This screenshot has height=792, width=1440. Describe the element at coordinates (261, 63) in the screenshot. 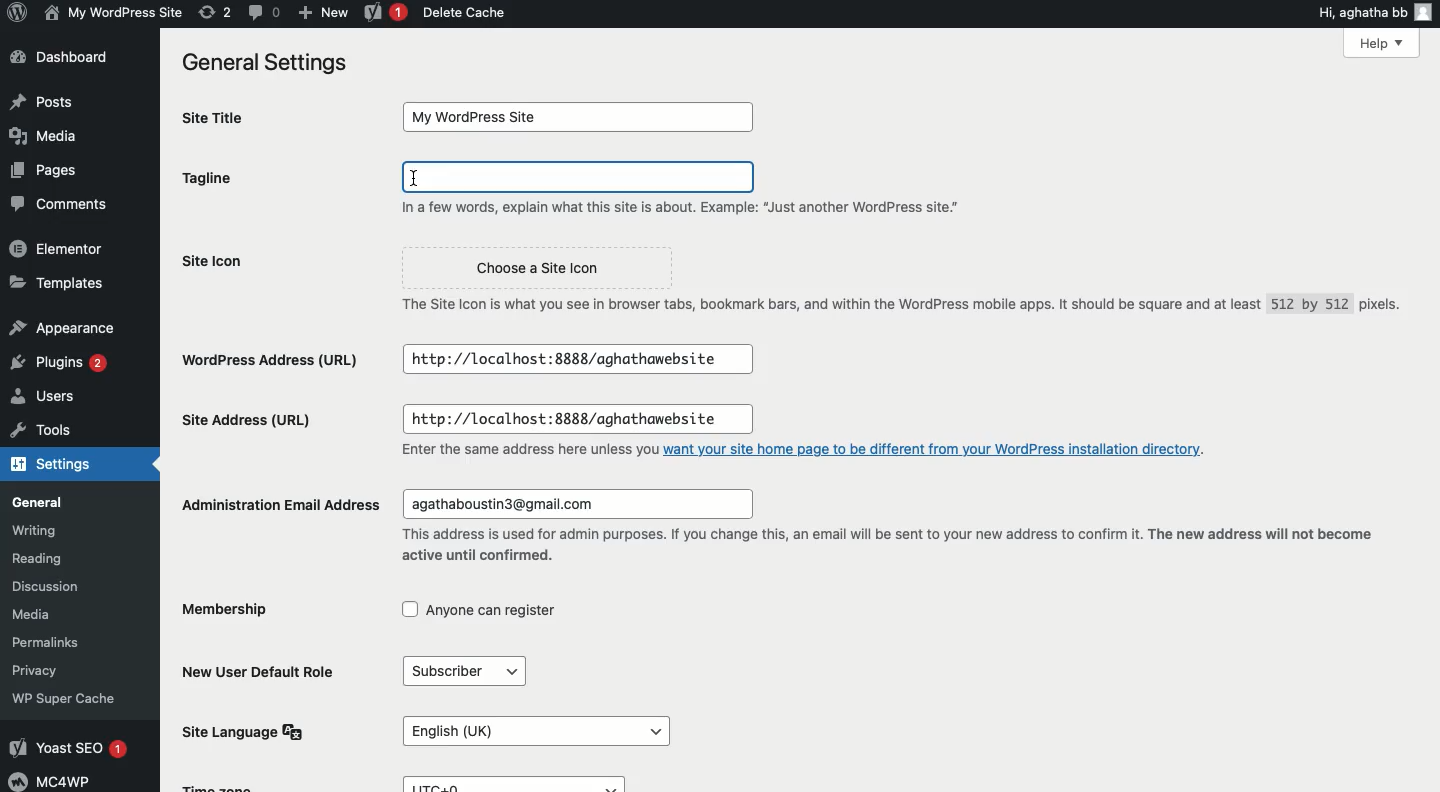

I see `General settings` at that location.